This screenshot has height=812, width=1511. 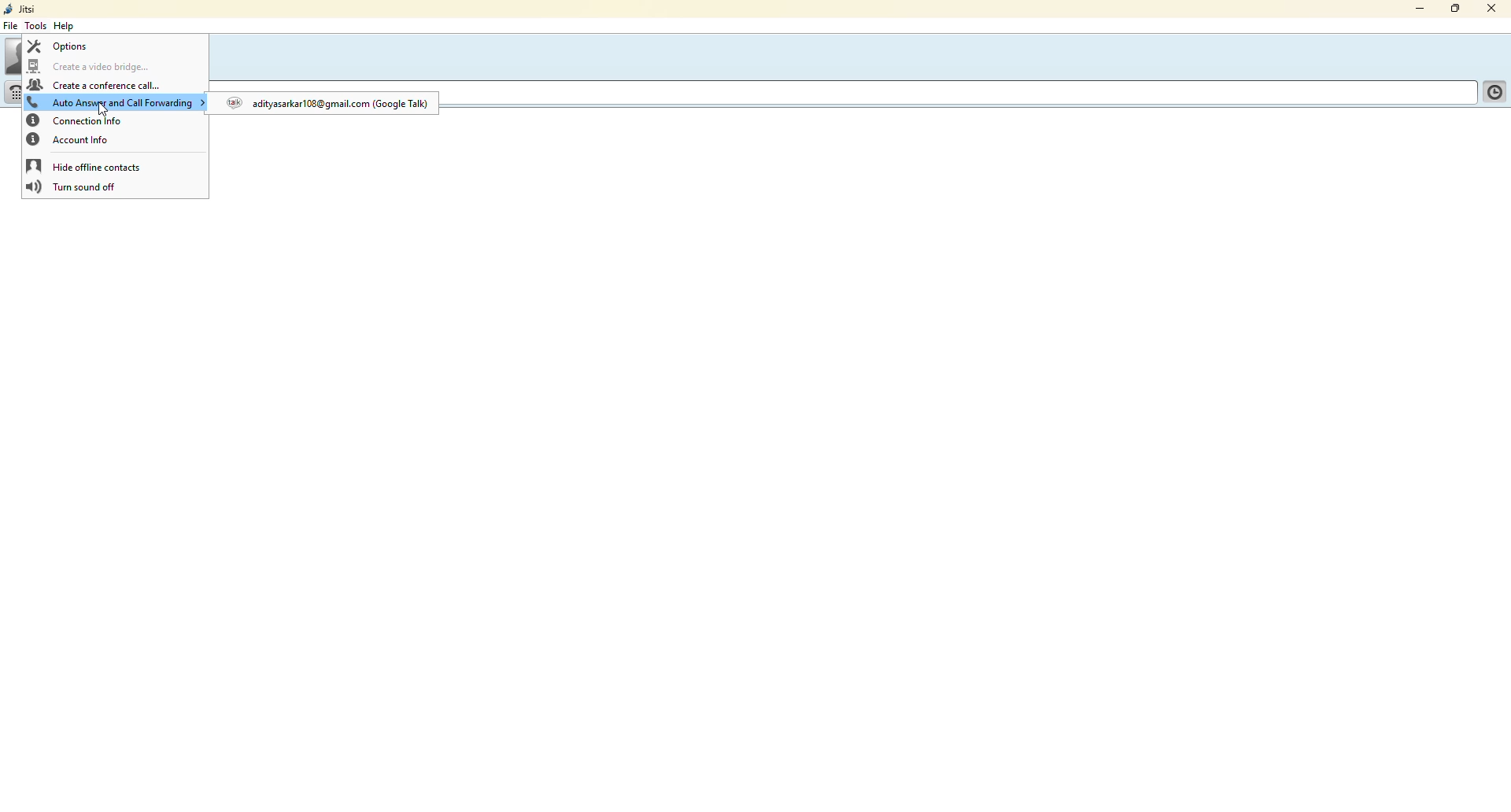 What do you see at coordinates (79, 120) in the screenshot?
I see `connection info` at bounding box center [79, 120].